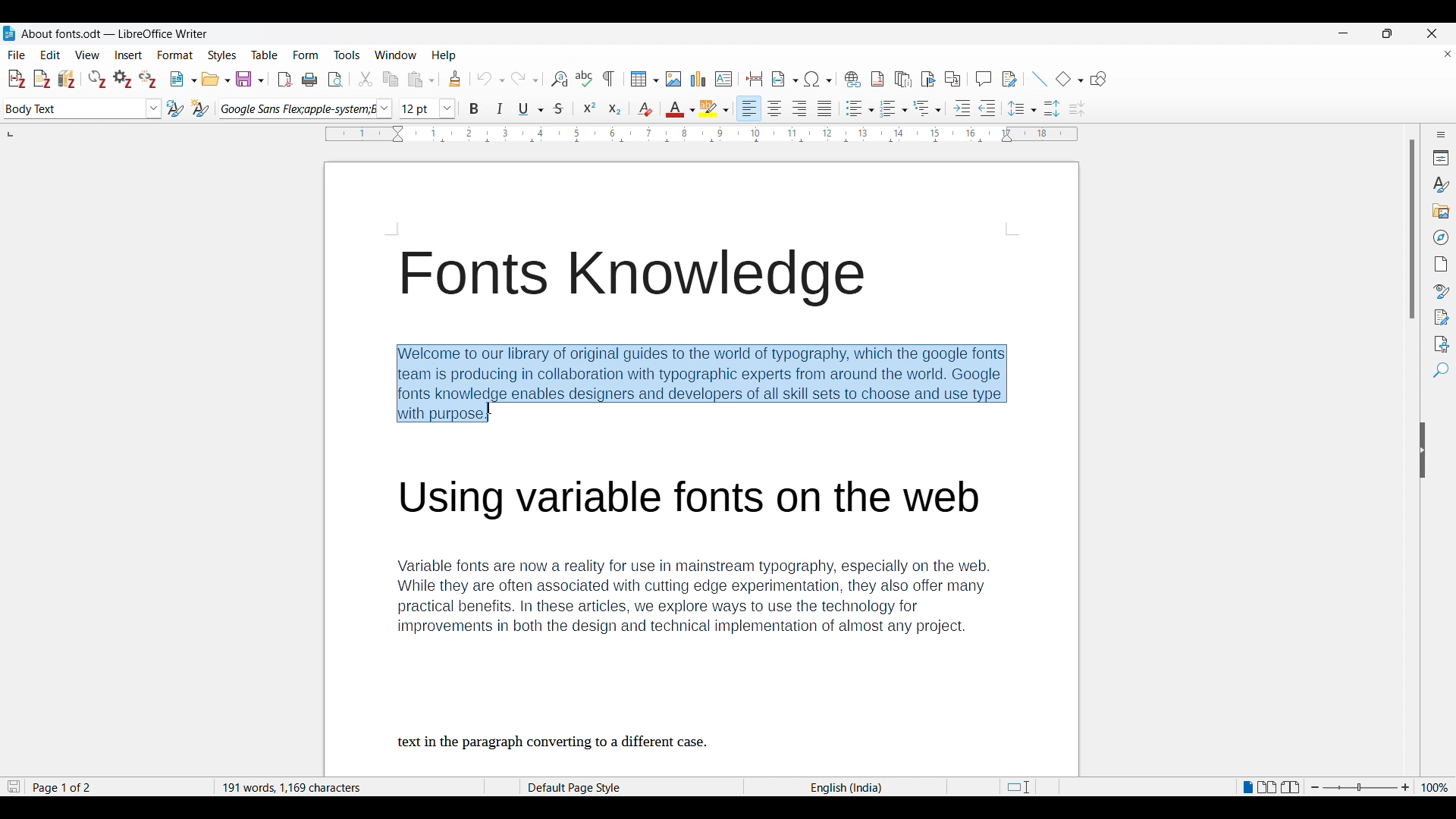 The width and height of the screenshot is (1456, 819). What do you see at coordinates (455, 79) in the screenshot?
I see `Clone formatting` at bounding box center [455, 79].